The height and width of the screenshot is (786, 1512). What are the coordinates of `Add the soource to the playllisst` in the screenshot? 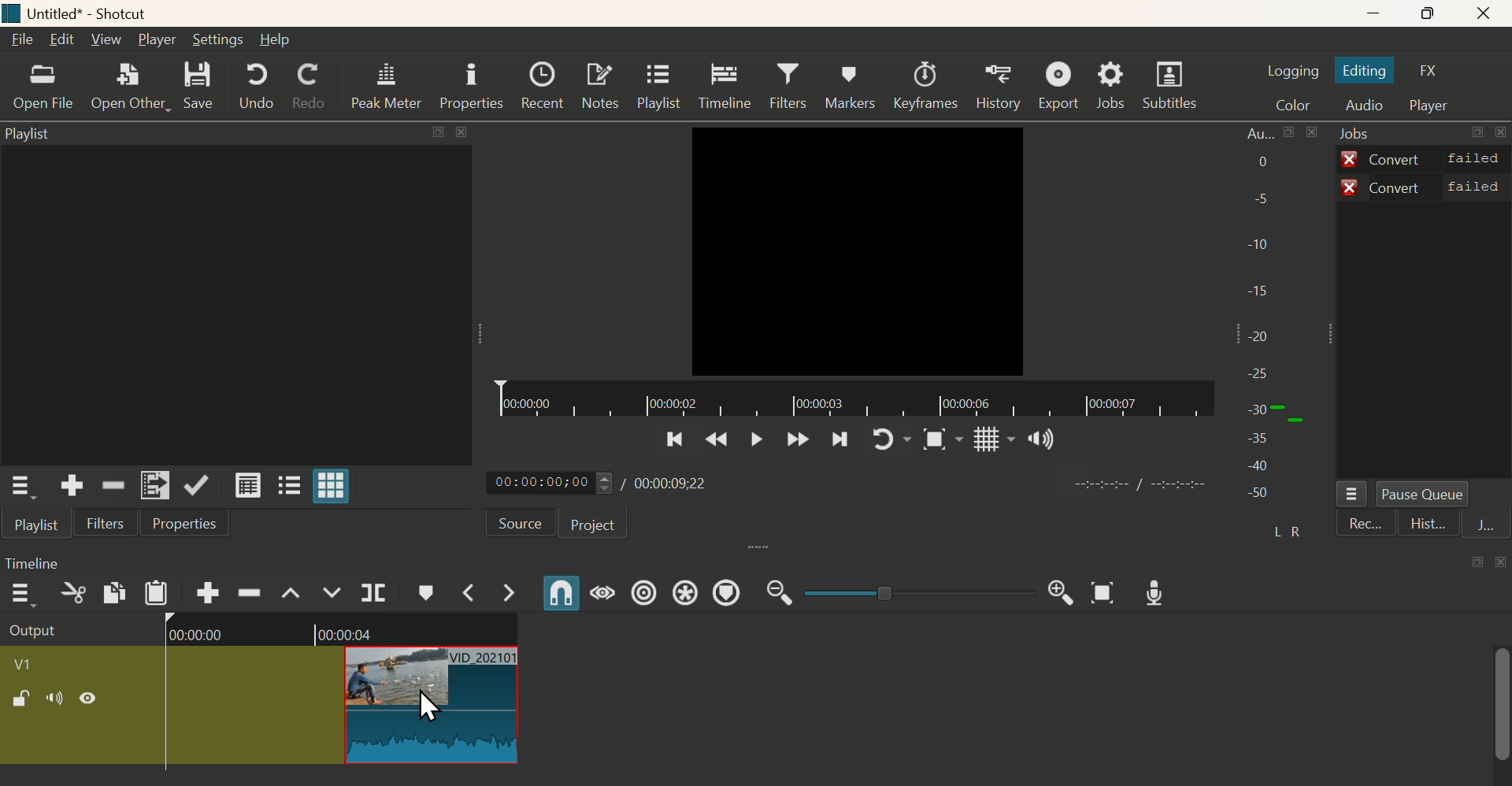 It's located at (75, 485).